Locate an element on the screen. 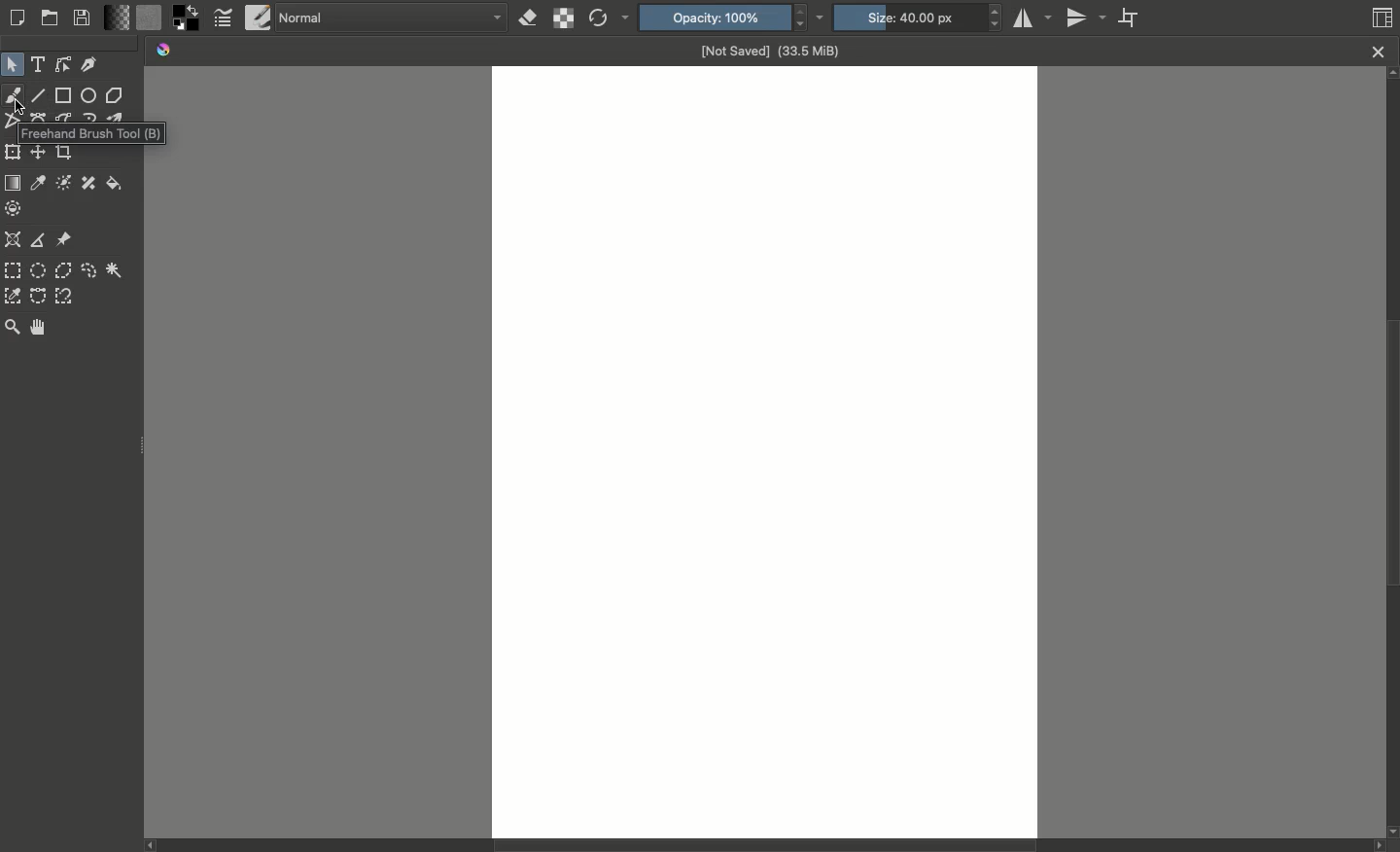 This screenshot has height=852, width=1400. Smart patch tool is located at coordinates (88, 183).